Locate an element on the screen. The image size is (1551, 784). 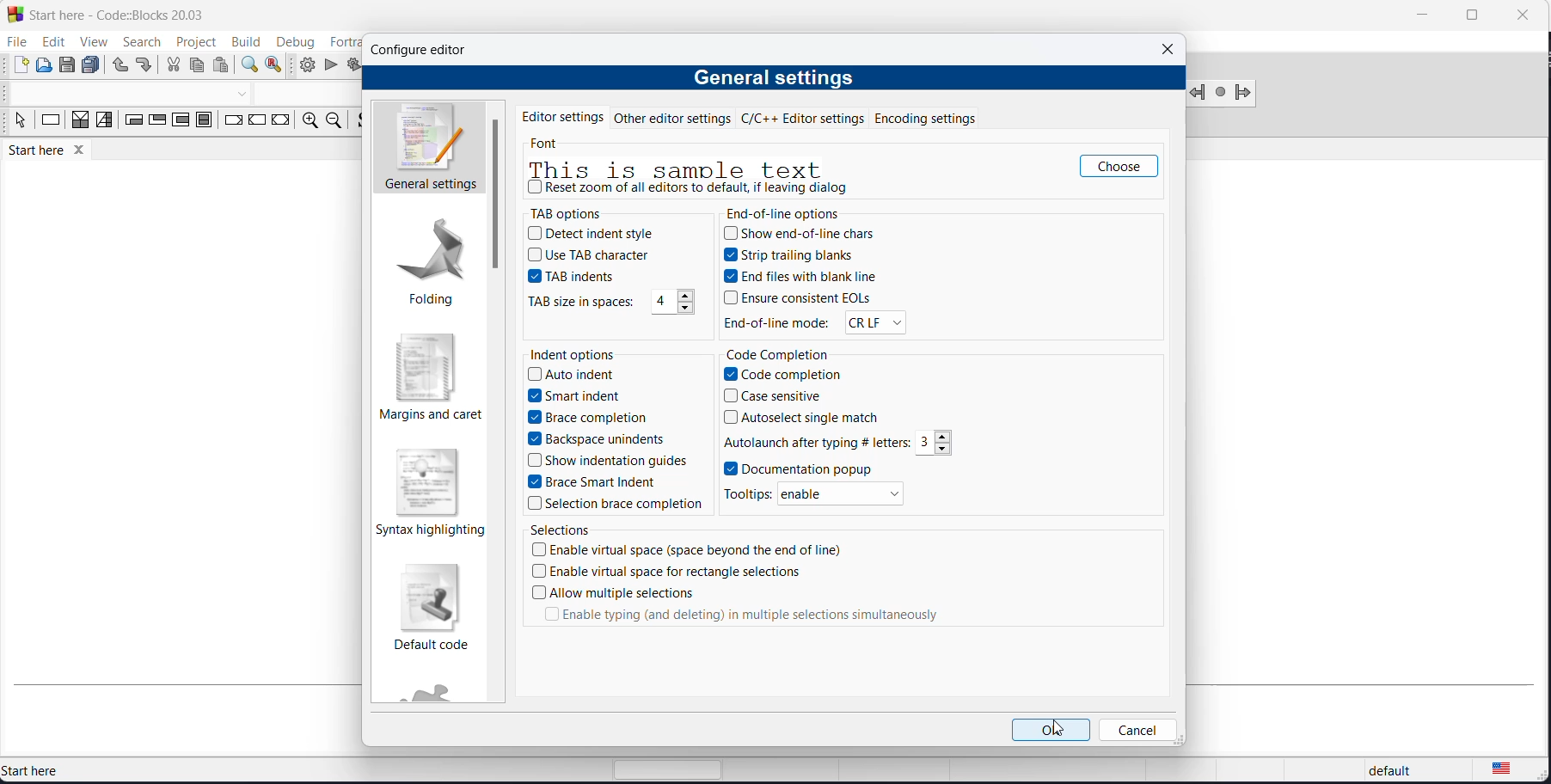
font is located at coordinates (549, 145).